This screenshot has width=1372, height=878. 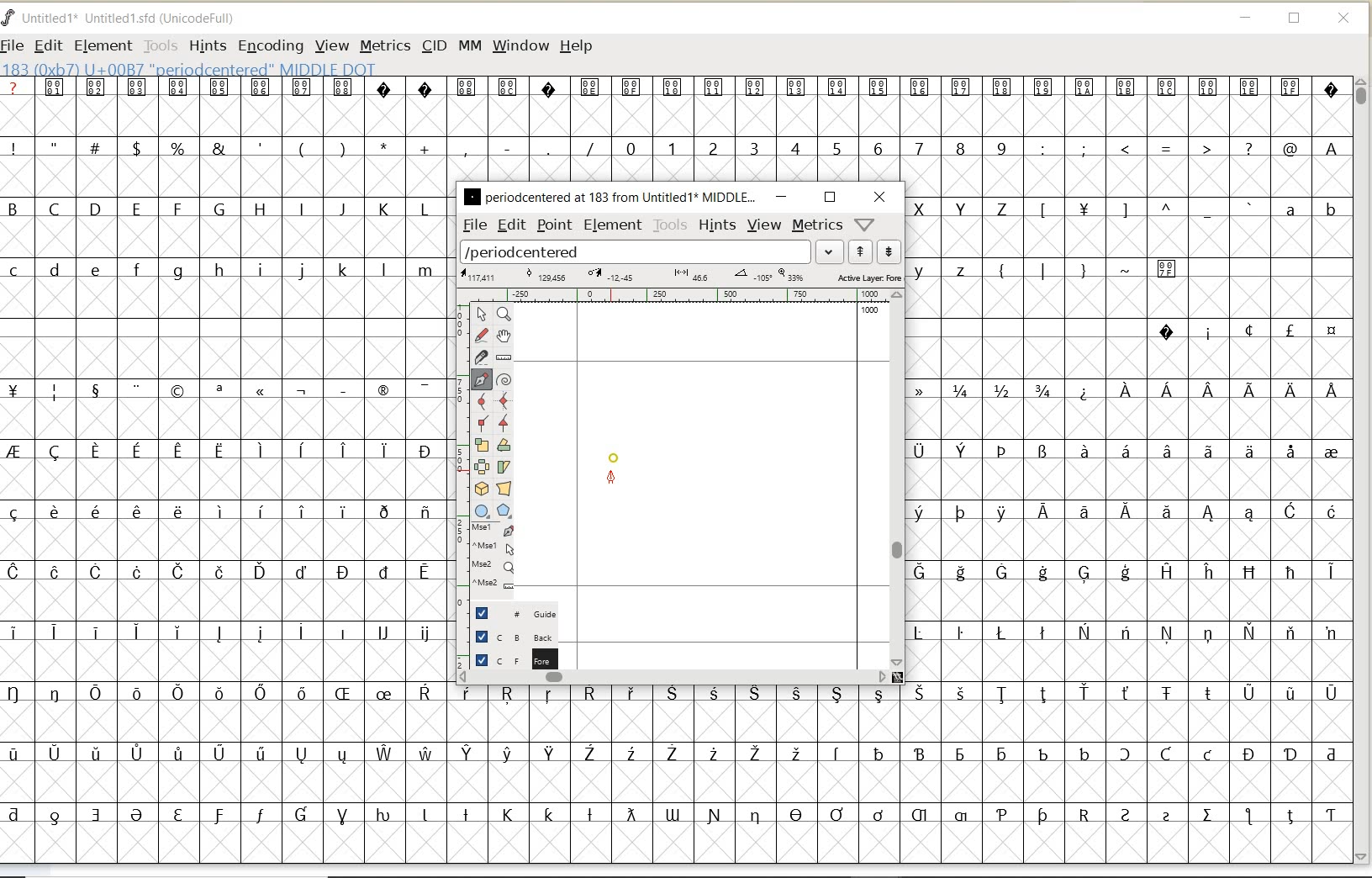 I want to click on RESTORE, so click(x=1295, y=21).